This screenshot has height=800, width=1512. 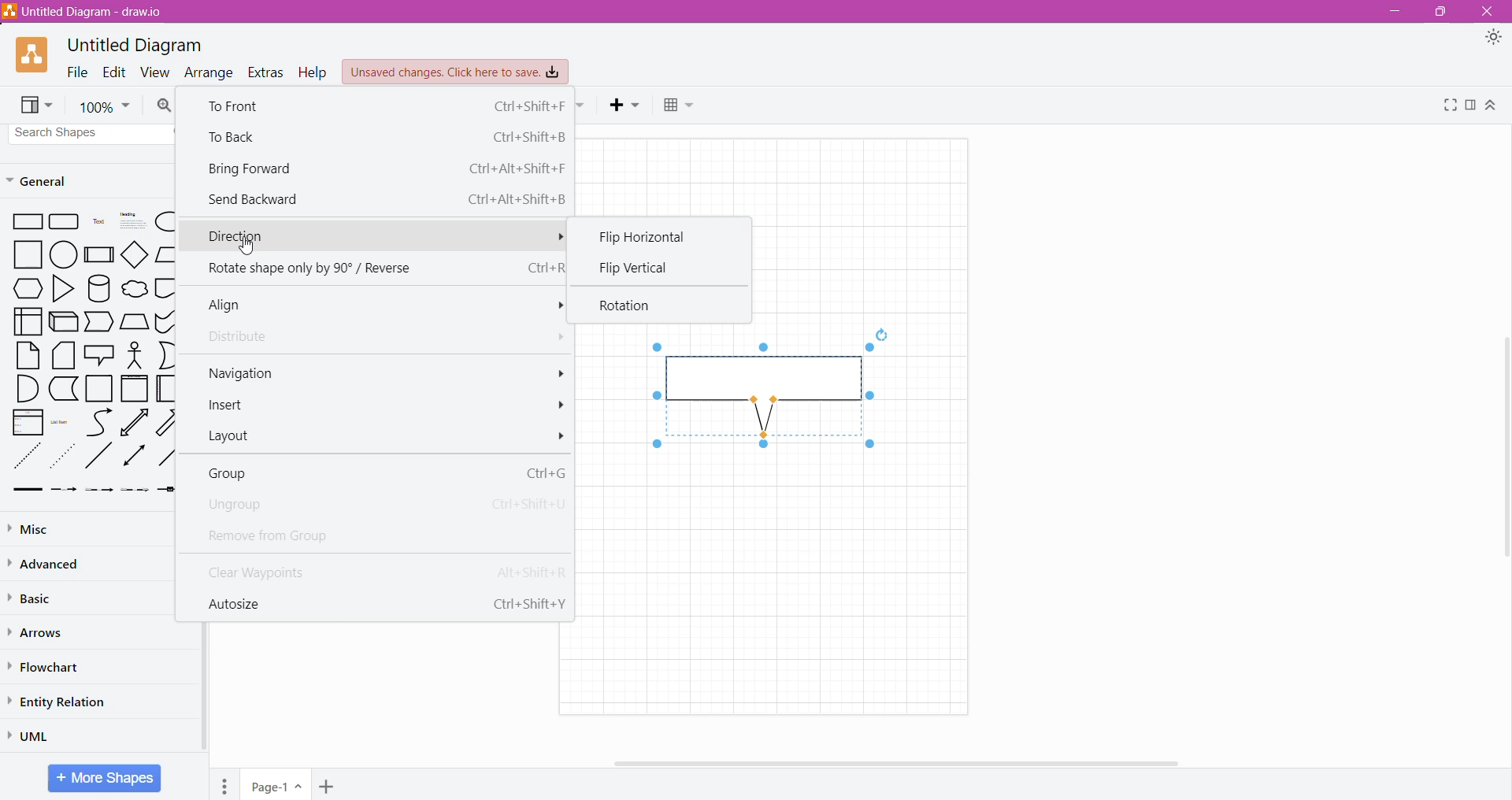 I want to click on Fullscreen, so click(x=1447, y=106).